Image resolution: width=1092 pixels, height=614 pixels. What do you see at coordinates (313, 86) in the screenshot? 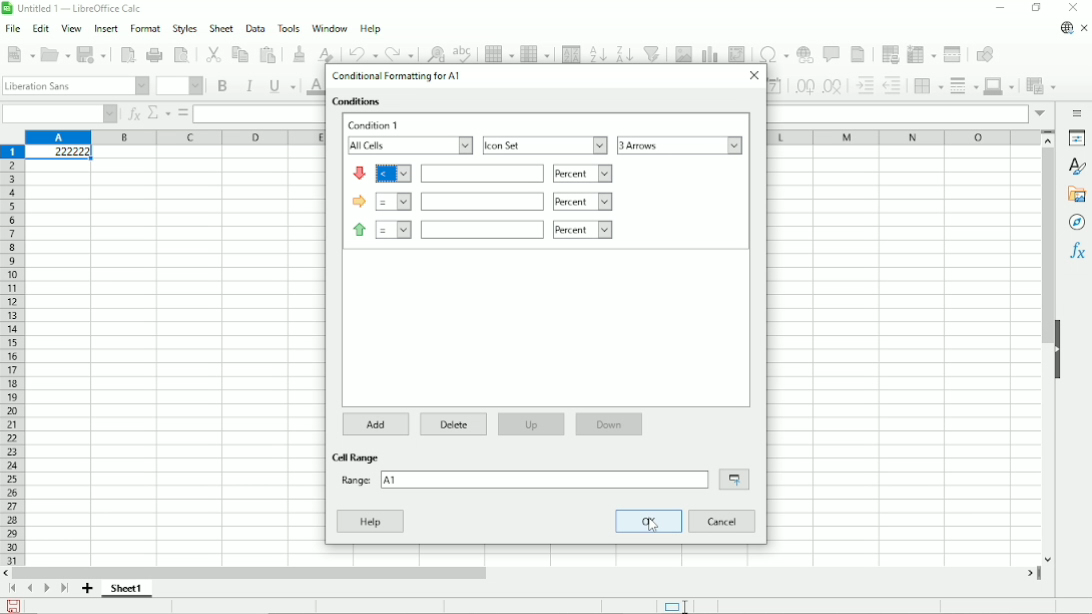
I see `Text color` at bounding box center [313, 86].